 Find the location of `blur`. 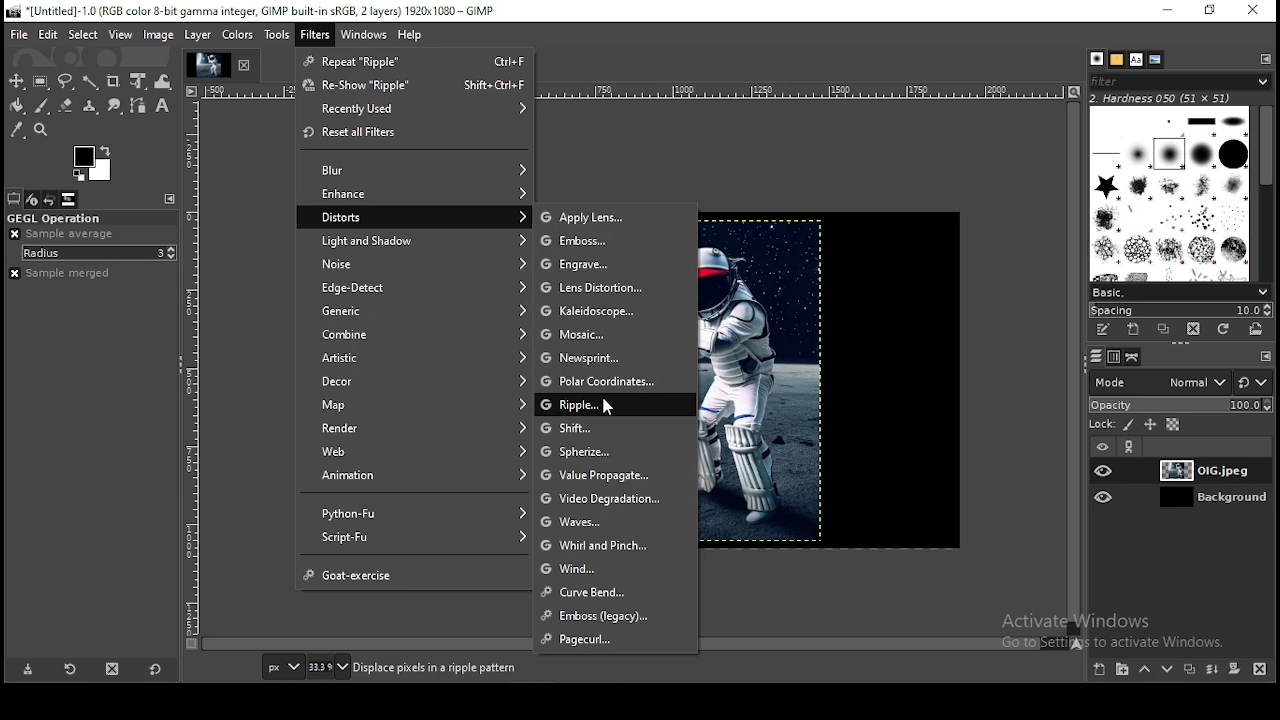

blur is located at coordinates (426, 168).